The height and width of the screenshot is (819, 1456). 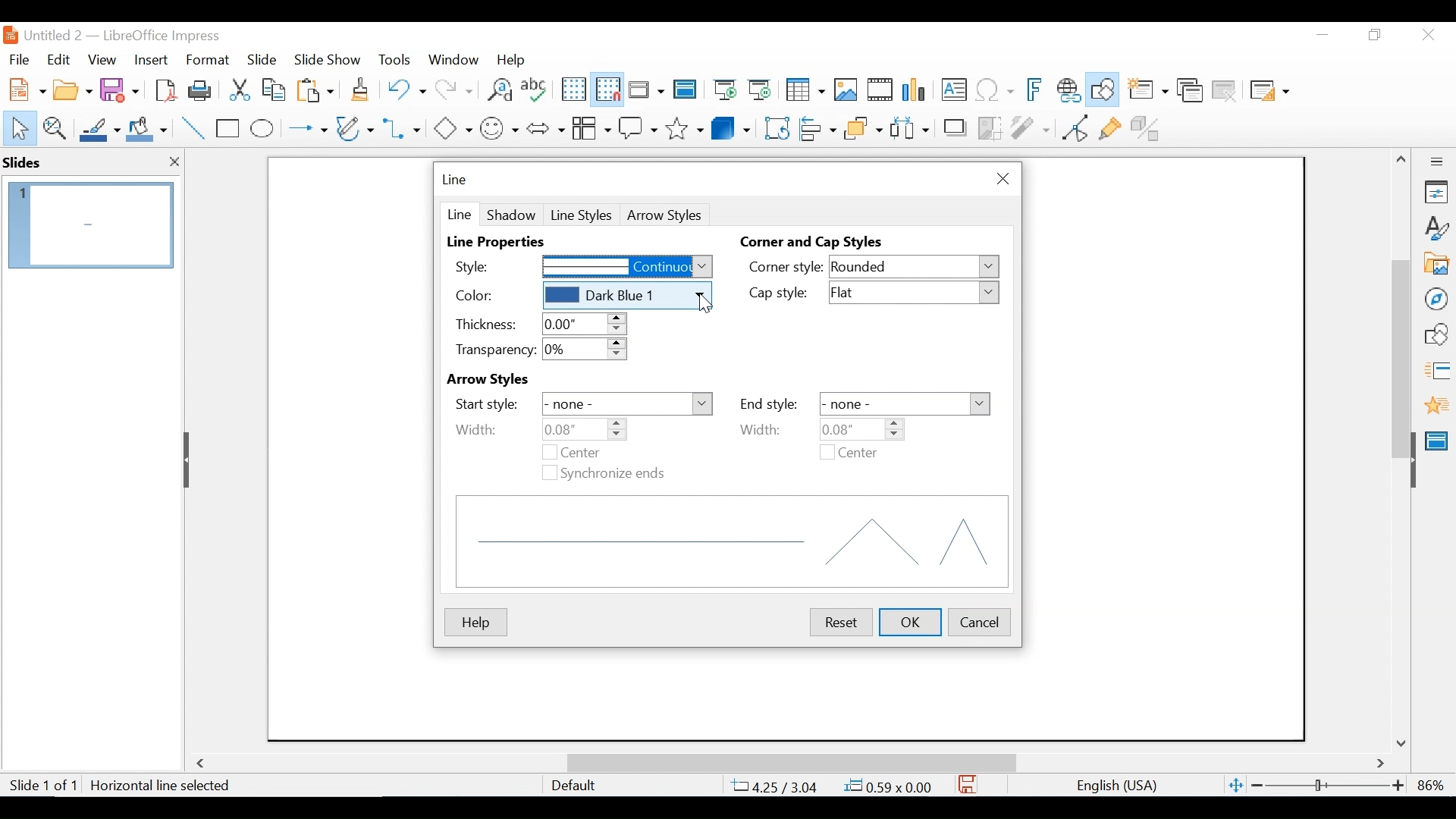 What do you see at coordinates (194, 129) in the screenshot?
I see `Insert Line` at bounding box center [194, 129].